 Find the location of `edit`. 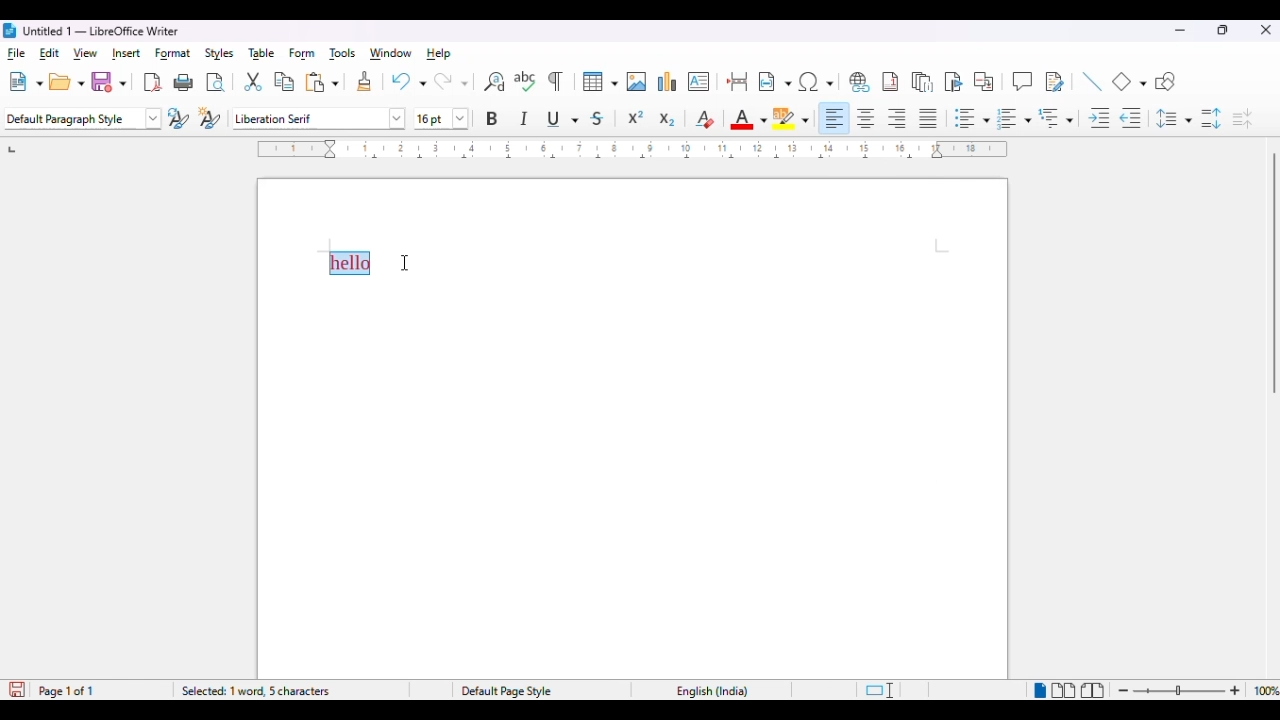

edit is located at coordinates (50, 53).